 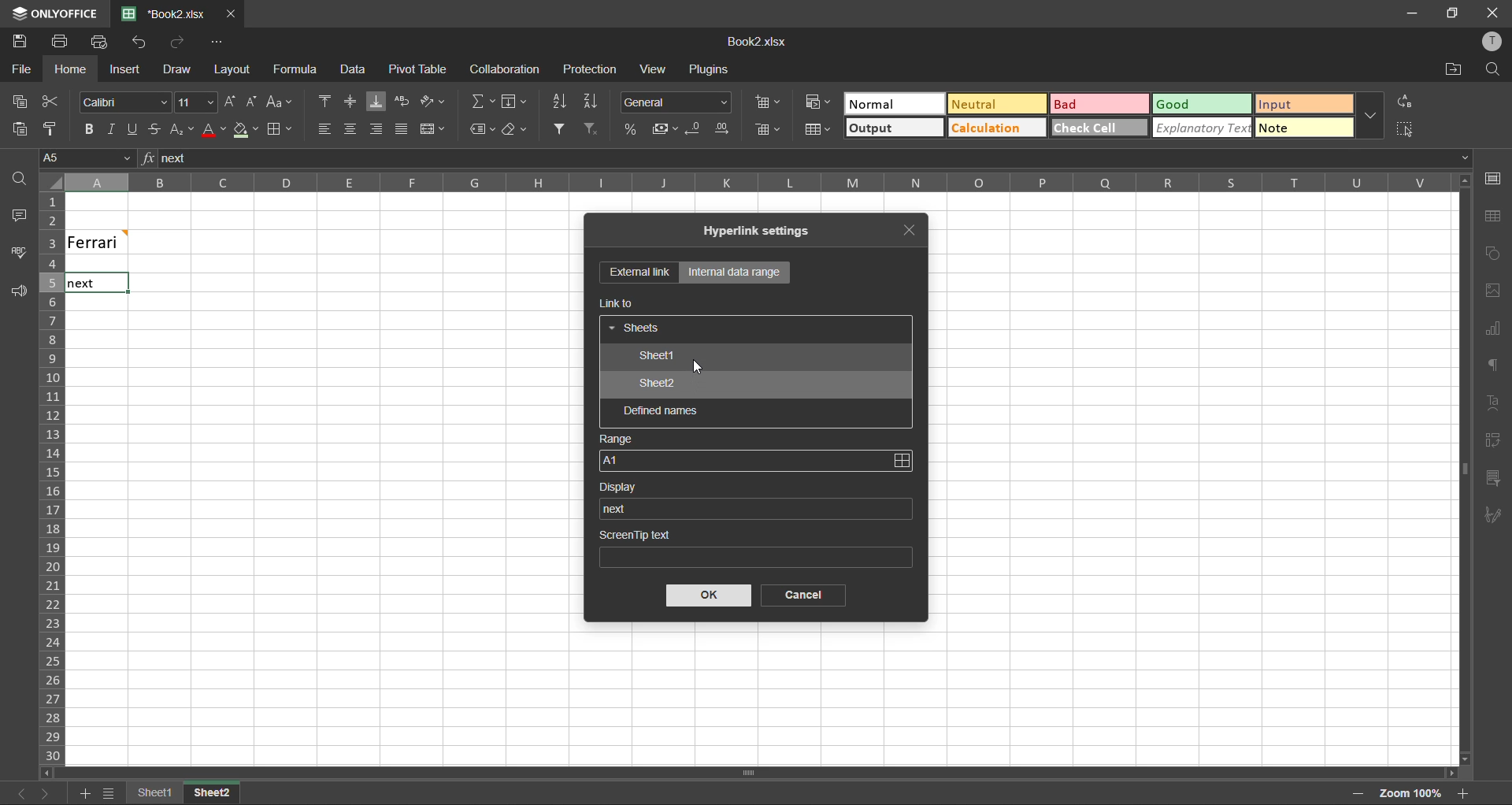 I want to click on underline, so click(x=132, y=131).